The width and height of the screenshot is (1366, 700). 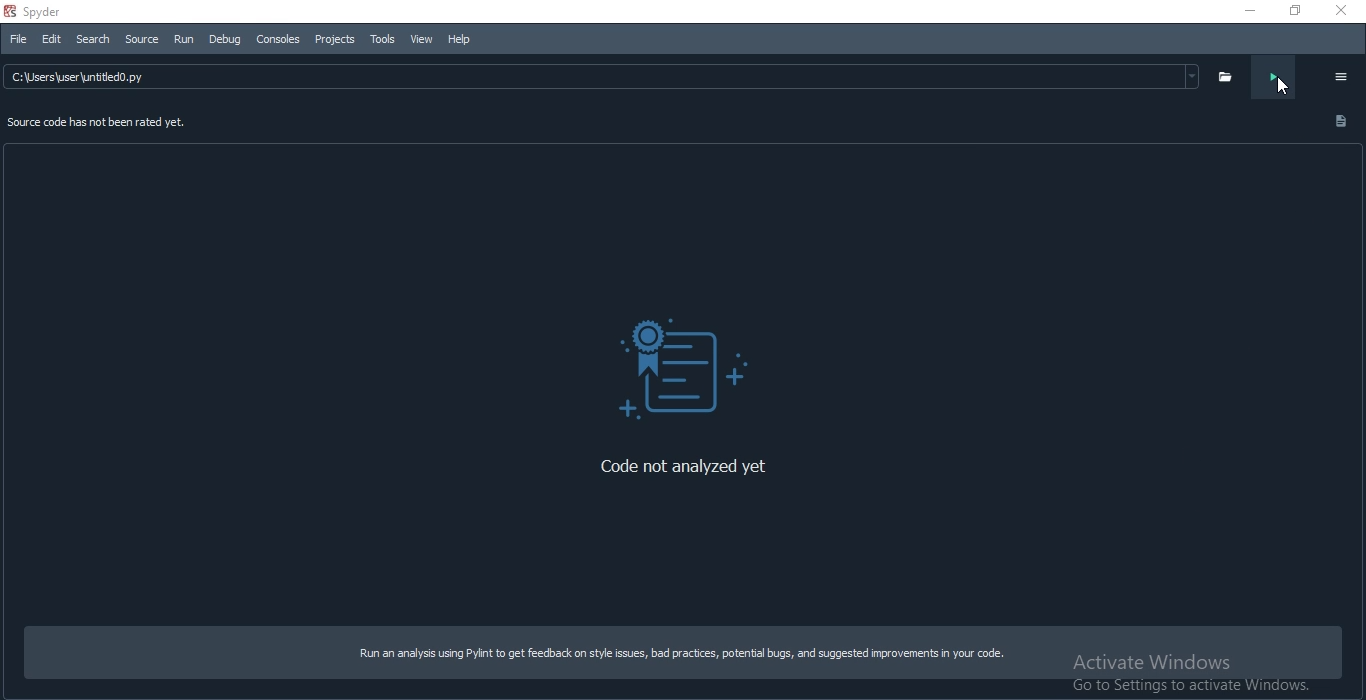 What do you see at coordinates (1291, 12) in the screenshot?
I see `Restore` at bounding box center [1291, 12].